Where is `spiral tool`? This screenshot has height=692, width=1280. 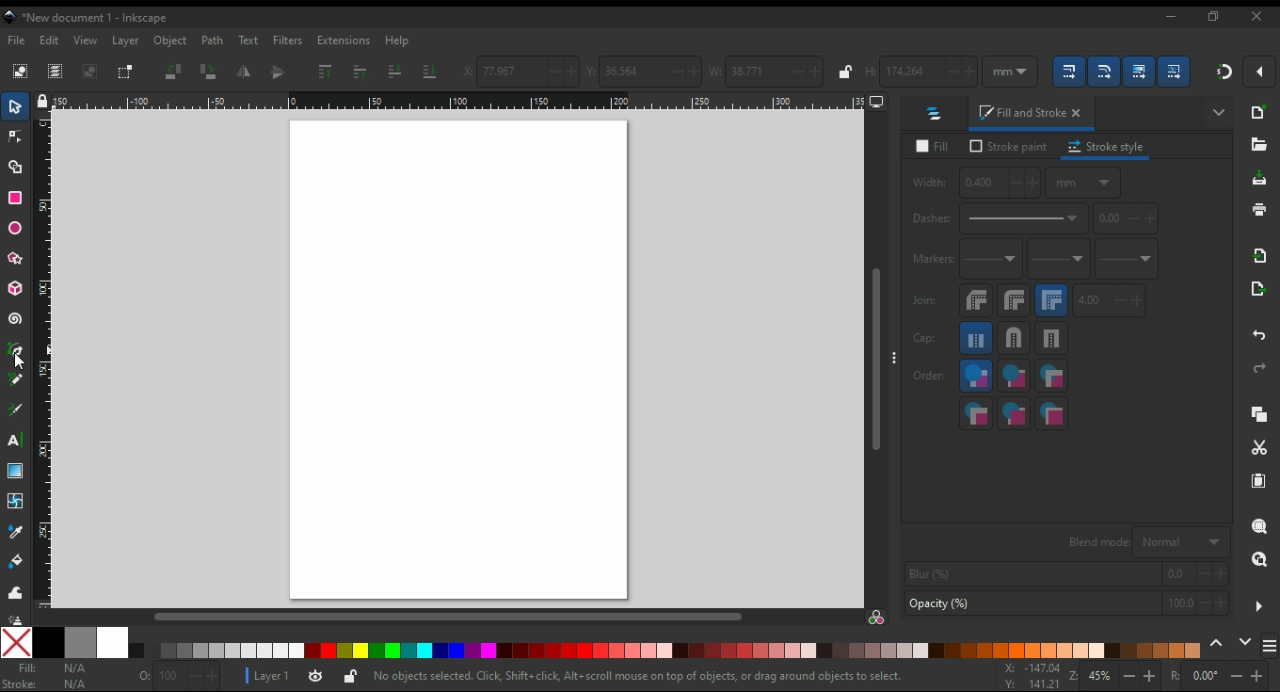 spiral tool is located at coordinates (17, 319).